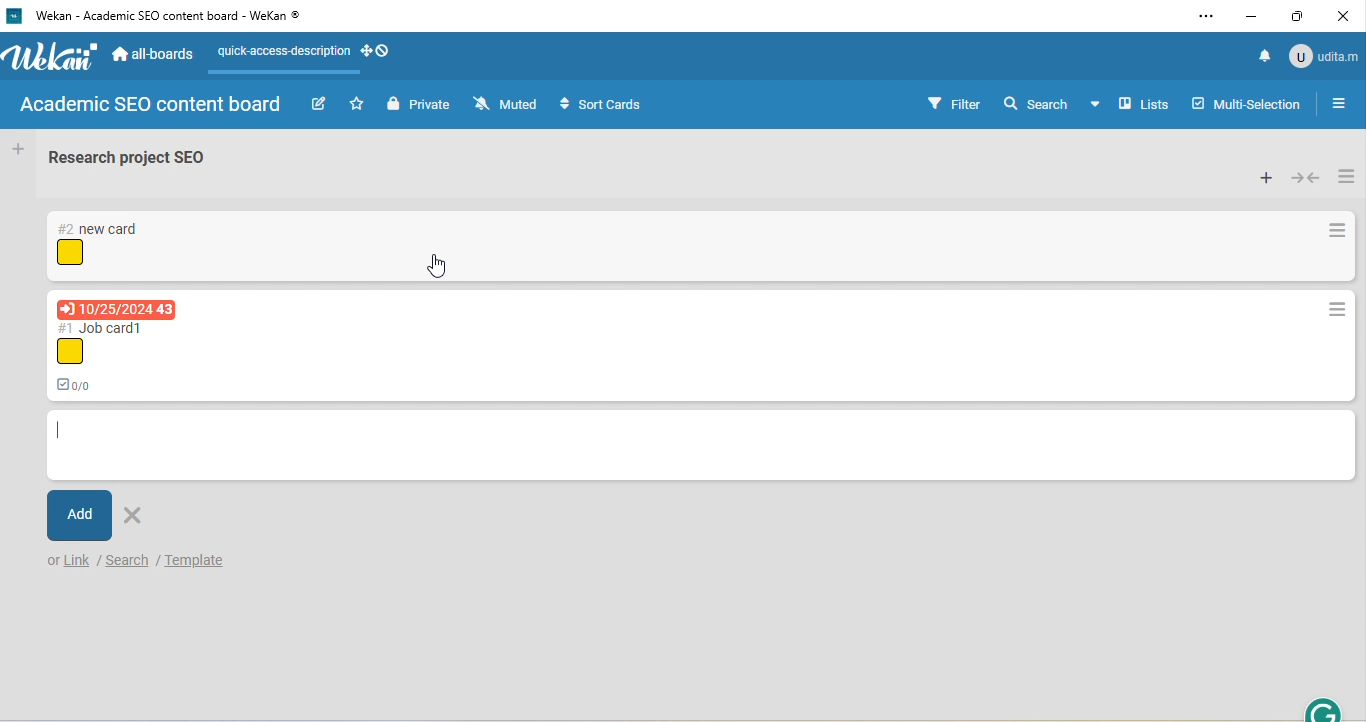 Image resolution: width=1366 pixels, height=722 pixels. Describe the element at coordinates (1253, 17) in the screenshot. I see `minimize` at that location.